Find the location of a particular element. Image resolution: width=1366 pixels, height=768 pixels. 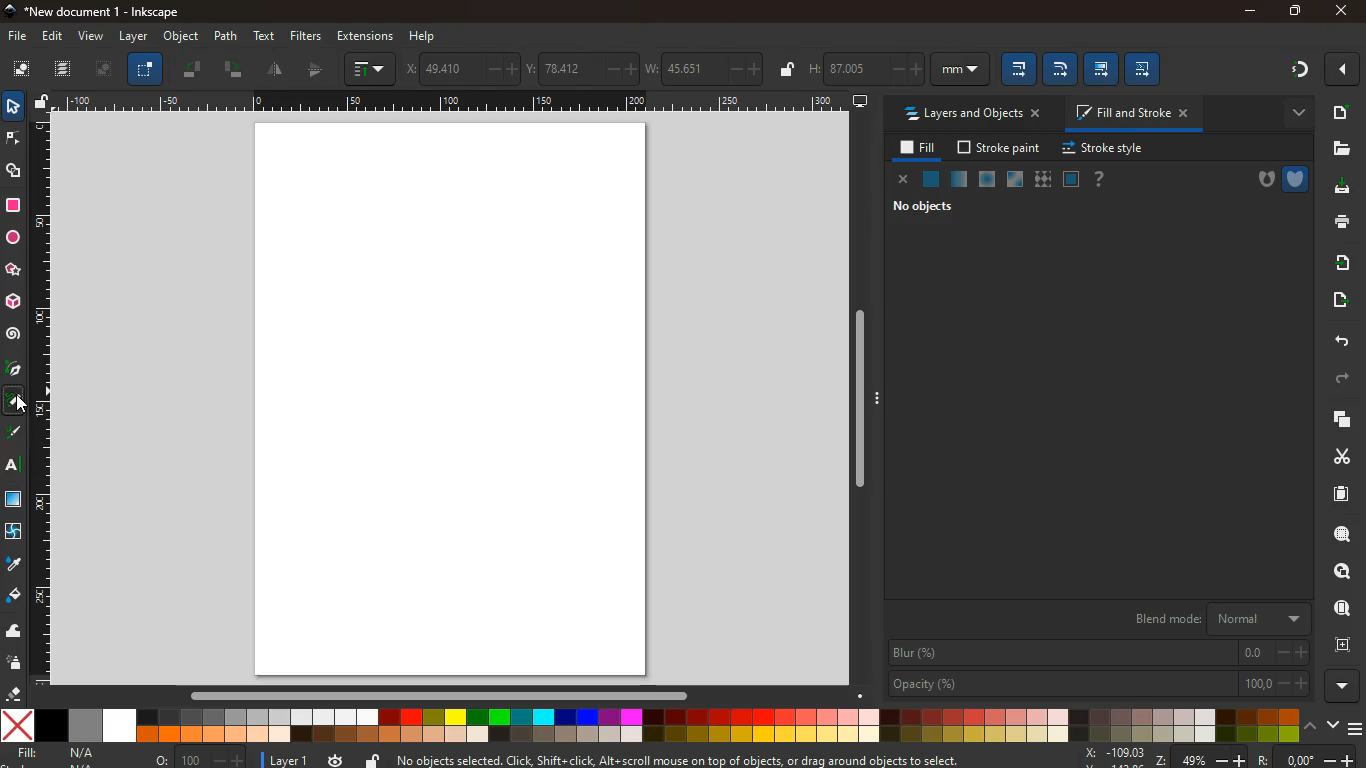

maximize is located at coordinates (1296, 13).